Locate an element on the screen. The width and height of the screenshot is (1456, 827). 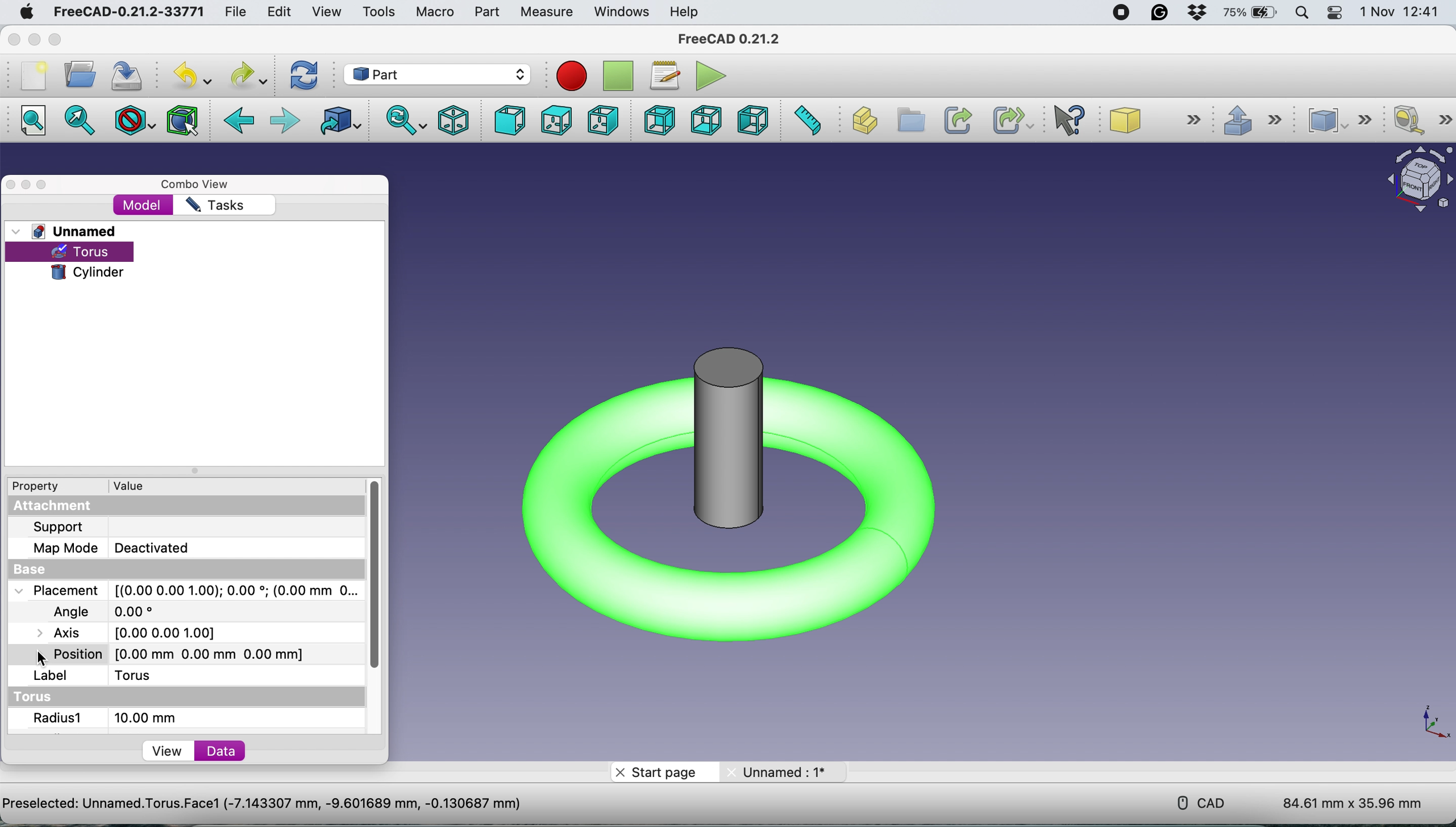
view is located at coordinates (168, 751).